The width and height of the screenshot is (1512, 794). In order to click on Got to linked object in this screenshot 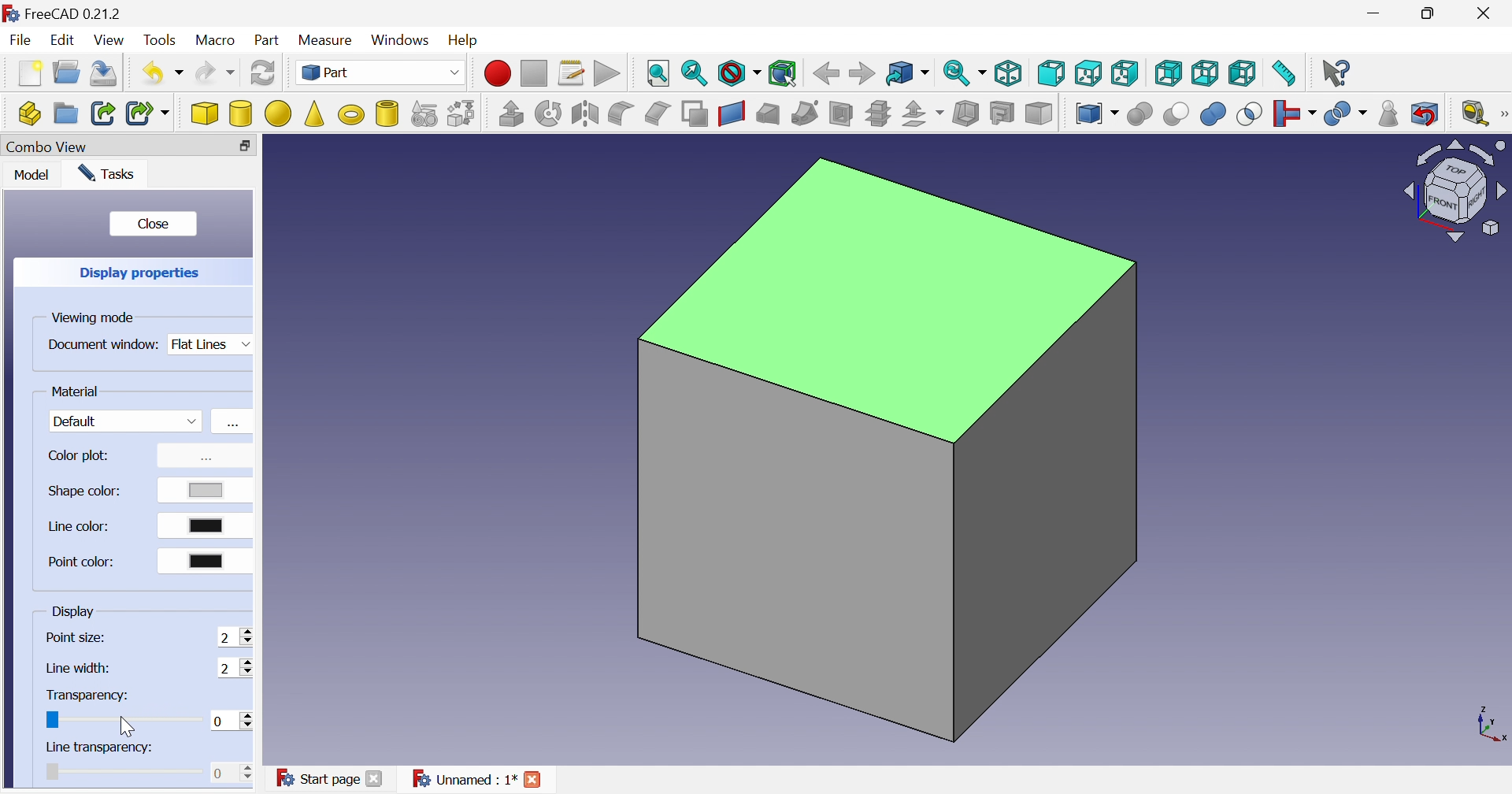, I will do `click(908, 72)`.